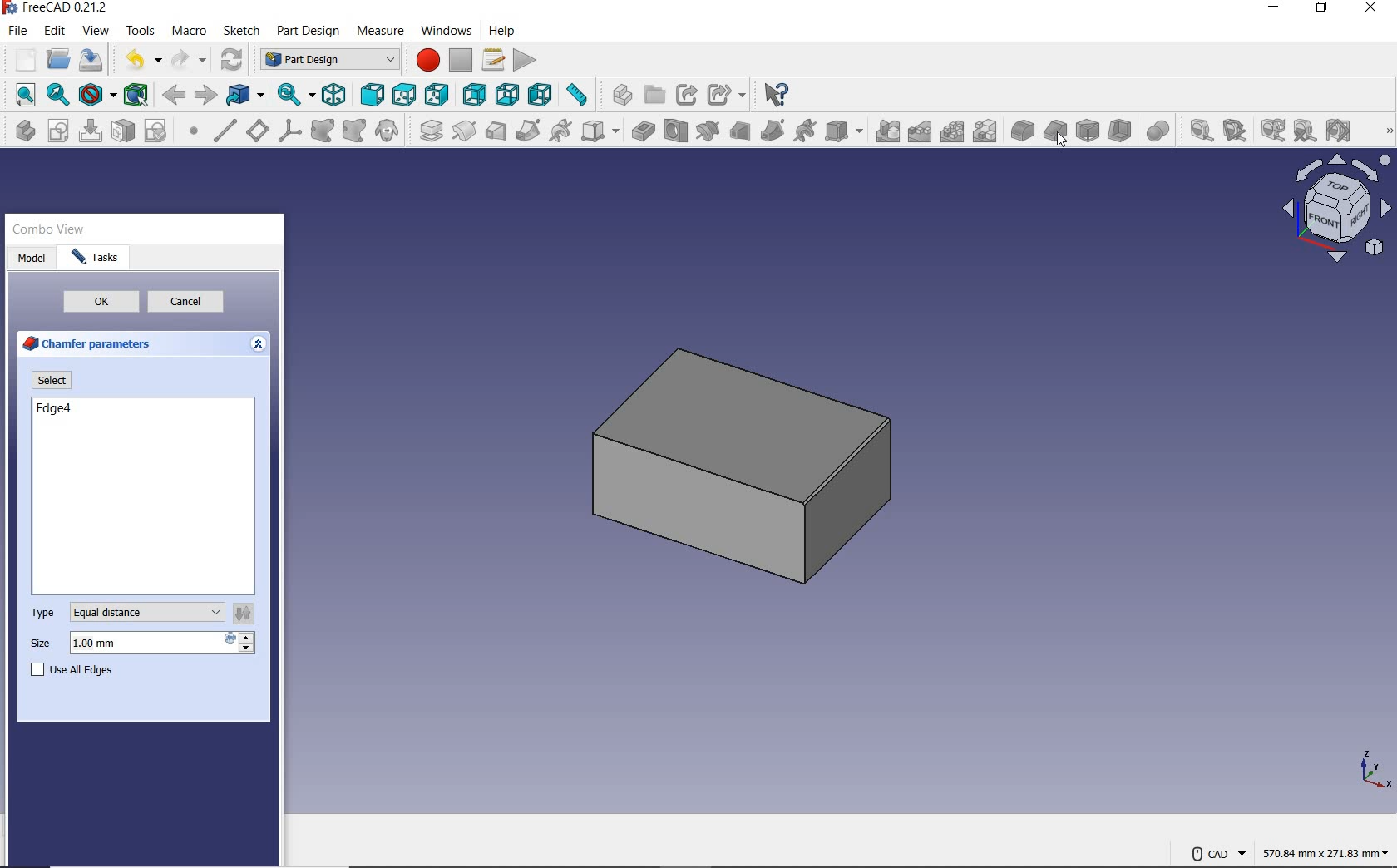 This screenshot has width=1397, height=868. What do you see at coordinates (508, 94) in the screenshot?
I see `bottom` at bounding box center [508, 94].